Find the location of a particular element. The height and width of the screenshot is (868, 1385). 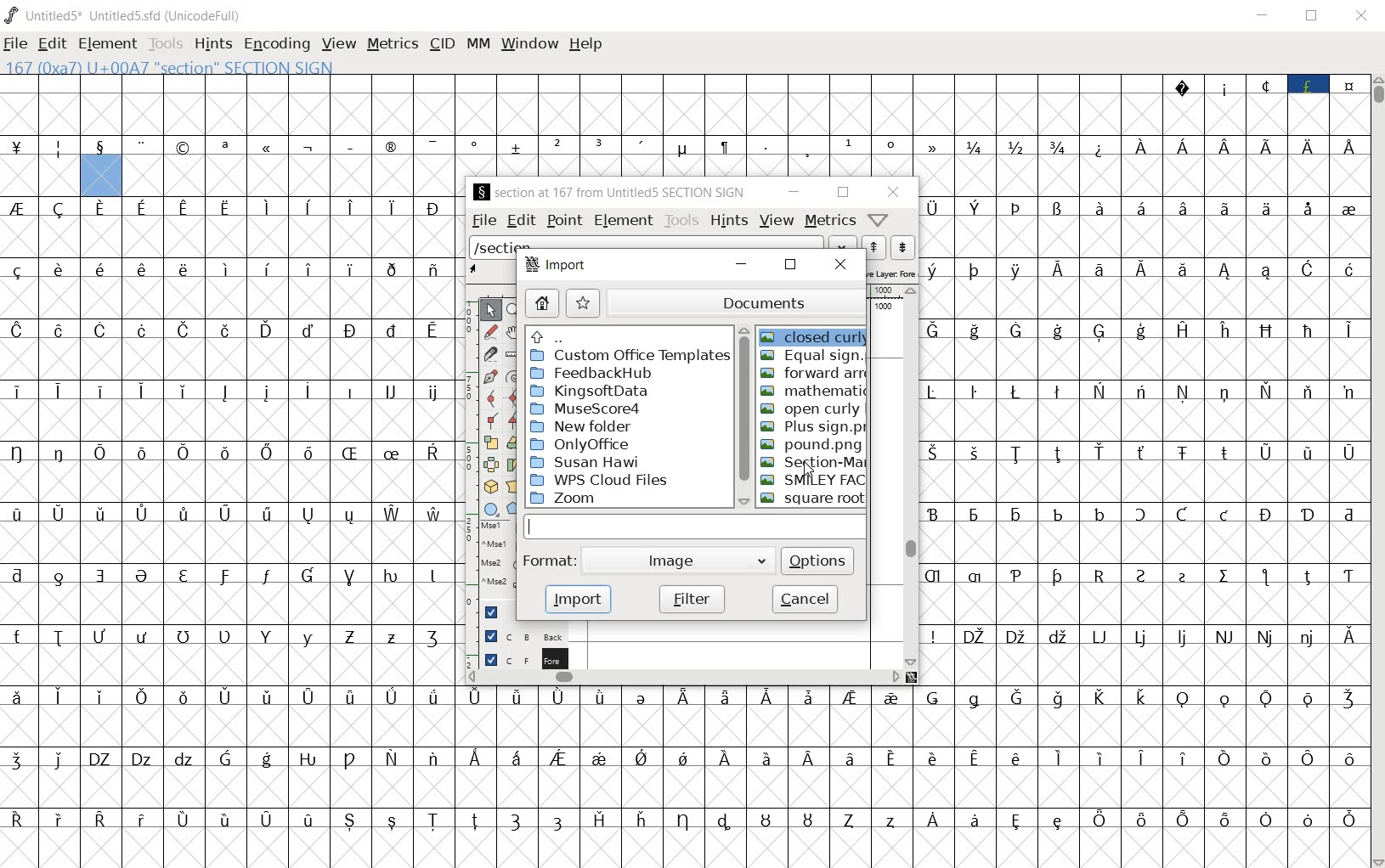

add a curve point is located at coordinates (490, 397).